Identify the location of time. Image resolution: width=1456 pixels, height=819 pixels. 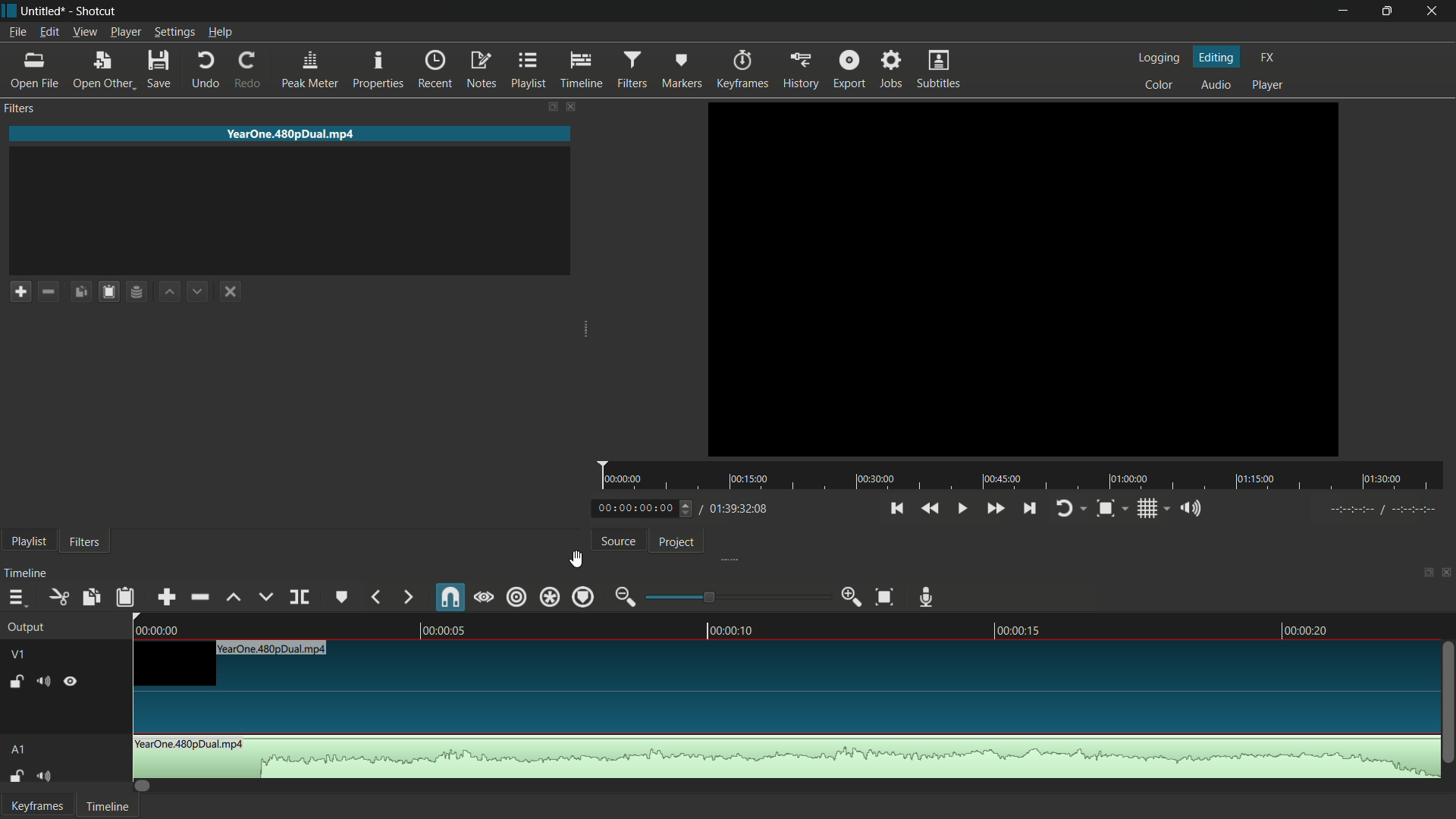
(1382, 508).